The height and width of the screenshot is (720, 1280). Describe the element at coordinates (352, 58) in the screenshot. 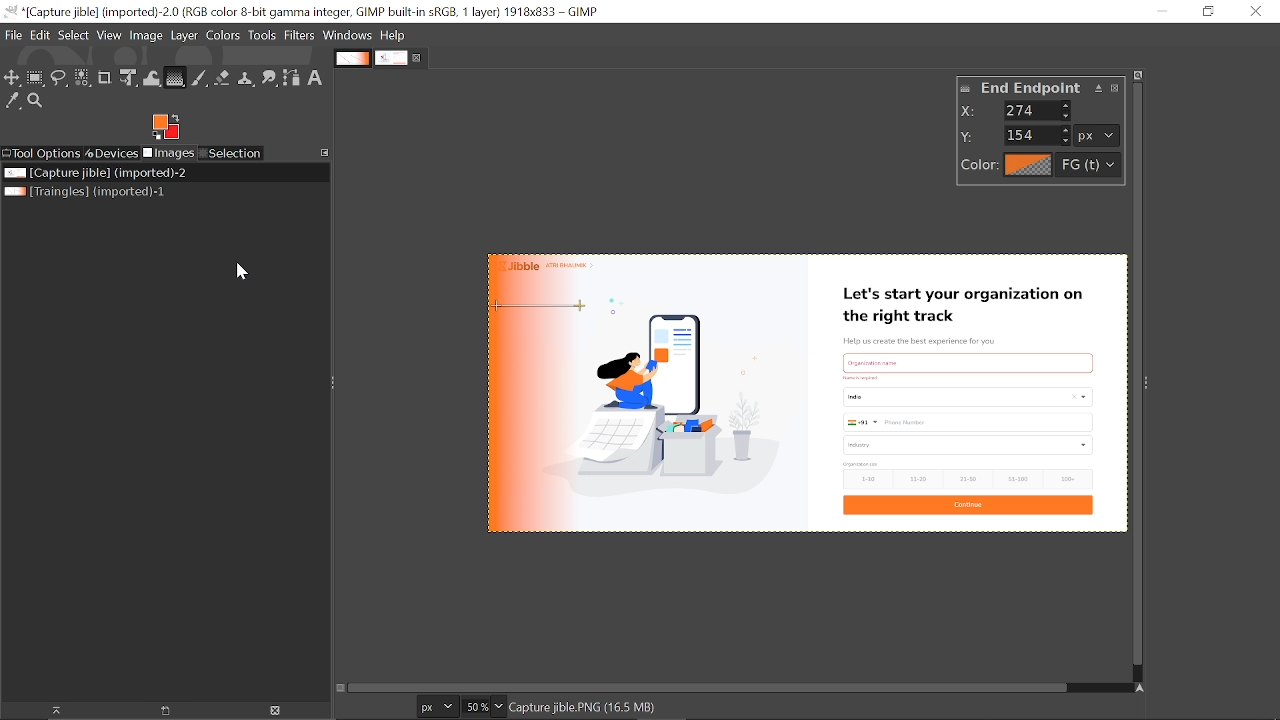

I see `Other tab` at that location.